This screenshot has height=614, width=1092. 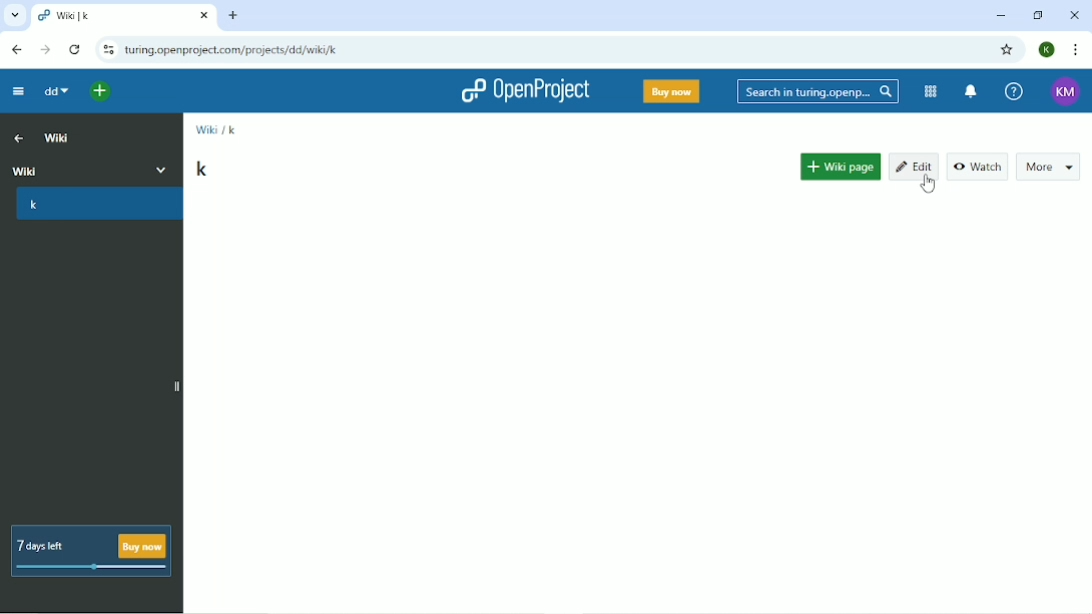 What do you see at coordinates (1074, 15) in the screenshot?
I see `Close` at bounding box center [1074, 15].